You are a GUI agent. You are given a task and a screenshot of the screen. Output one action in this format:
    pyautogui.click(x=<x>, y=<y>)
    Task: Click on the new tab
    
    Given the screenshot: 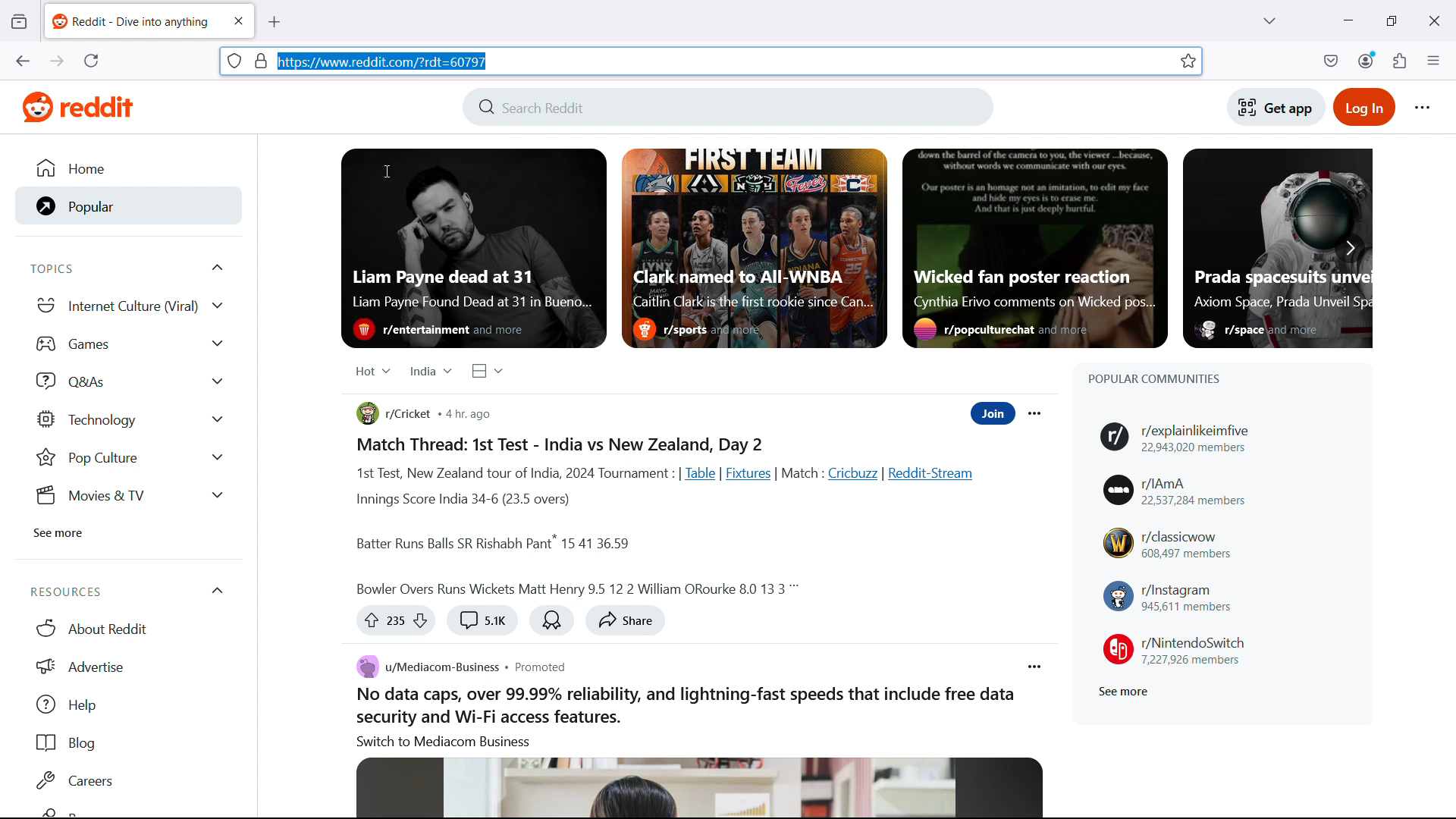 What is the action you would take?
    pyautogui.click(x=275, y=22)
    